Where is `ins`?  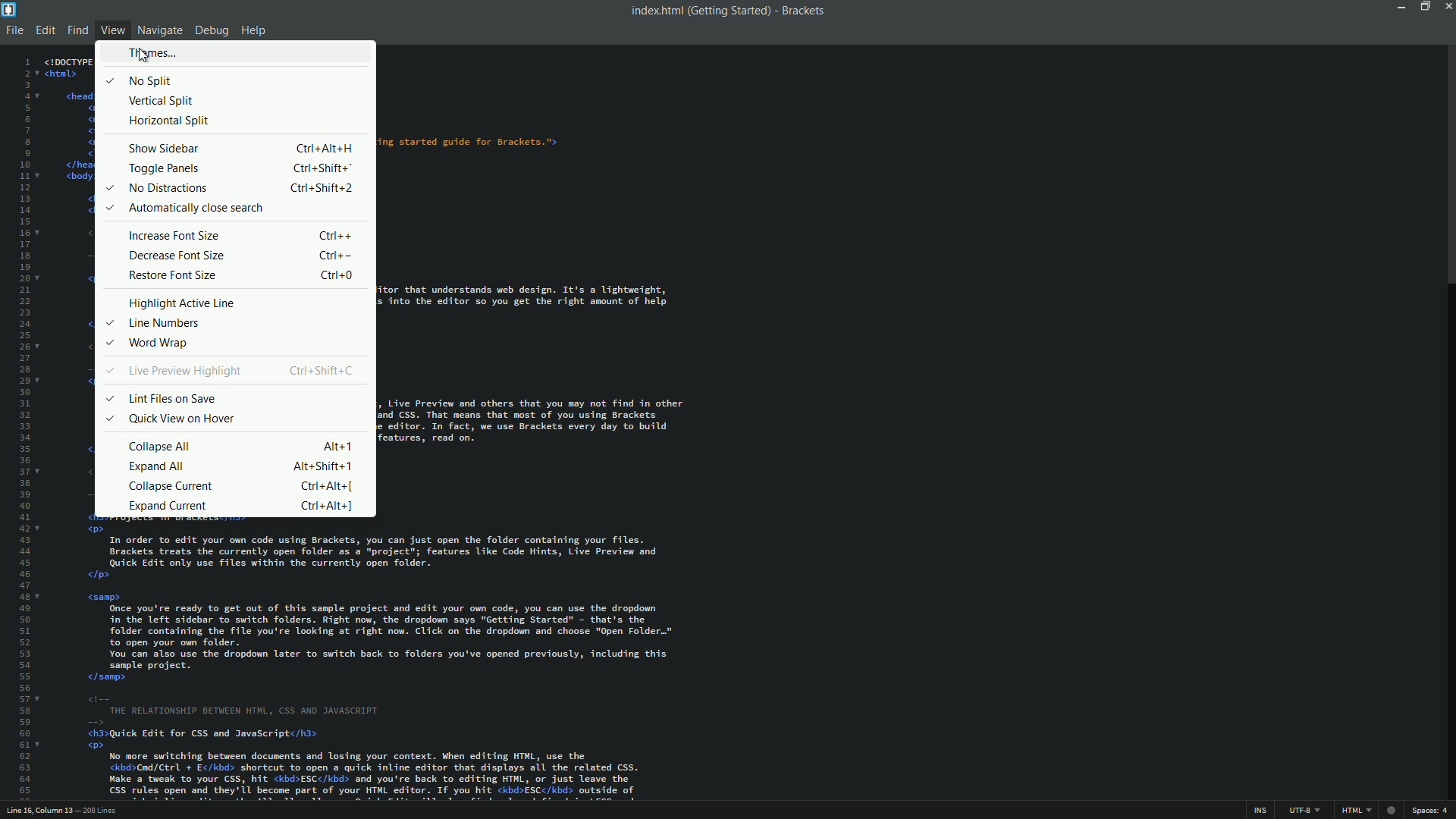 ins is located at coordinates (1258, 811).